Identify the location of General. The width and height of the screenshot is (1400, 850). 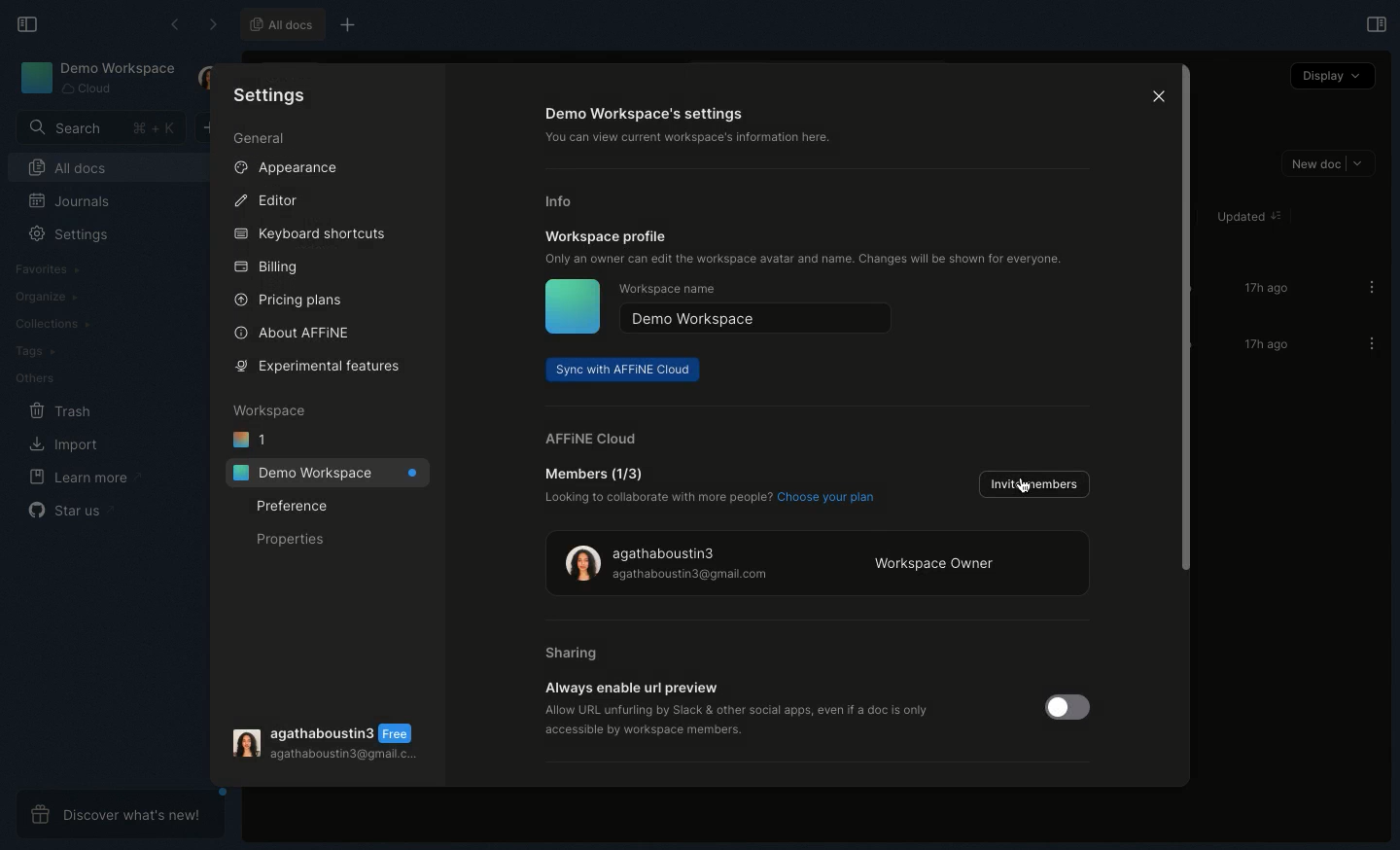
(262, 137).